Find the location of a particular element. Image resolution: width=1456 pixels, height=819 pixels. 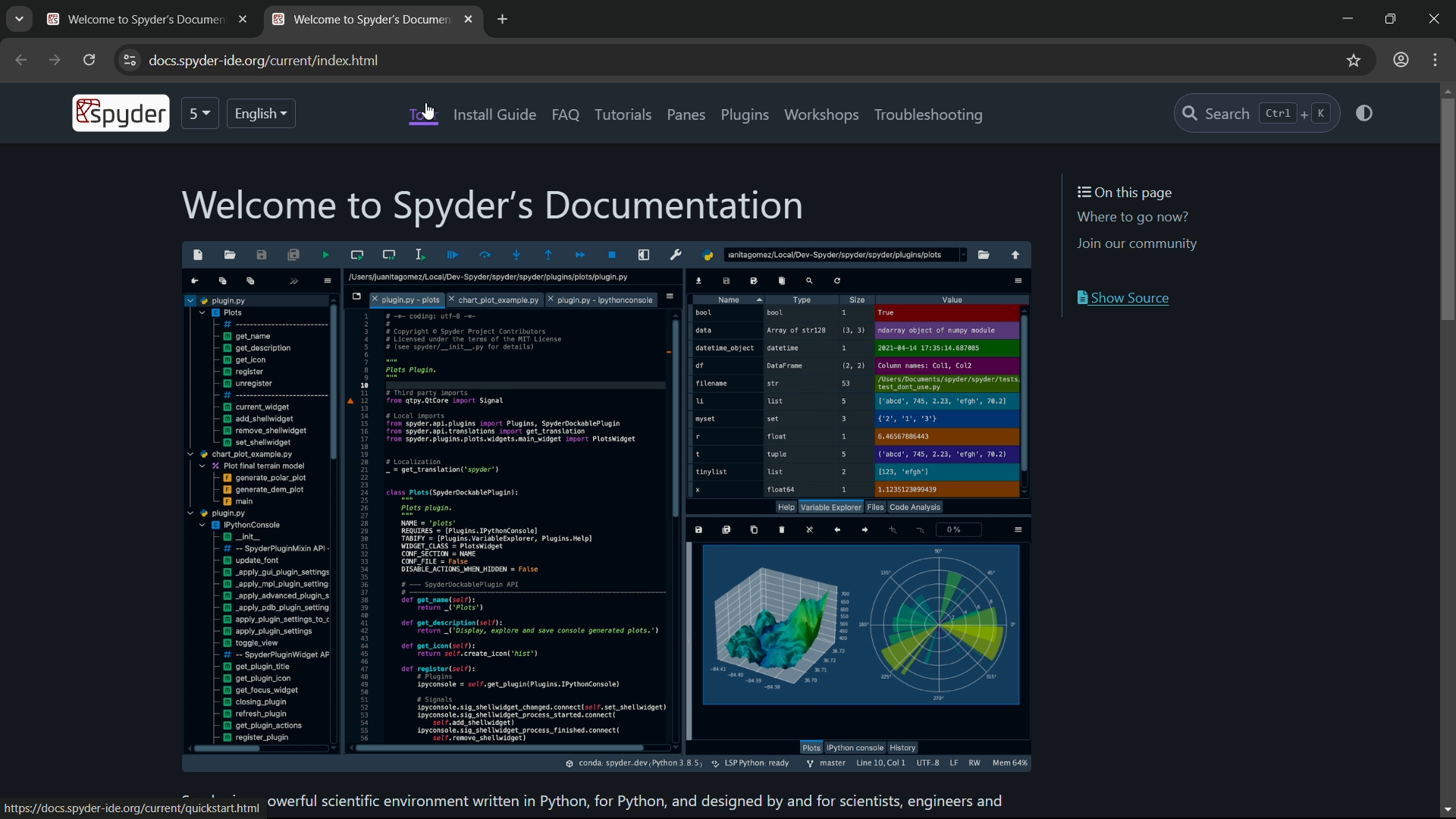

5 is located at coordinates (199, 114).